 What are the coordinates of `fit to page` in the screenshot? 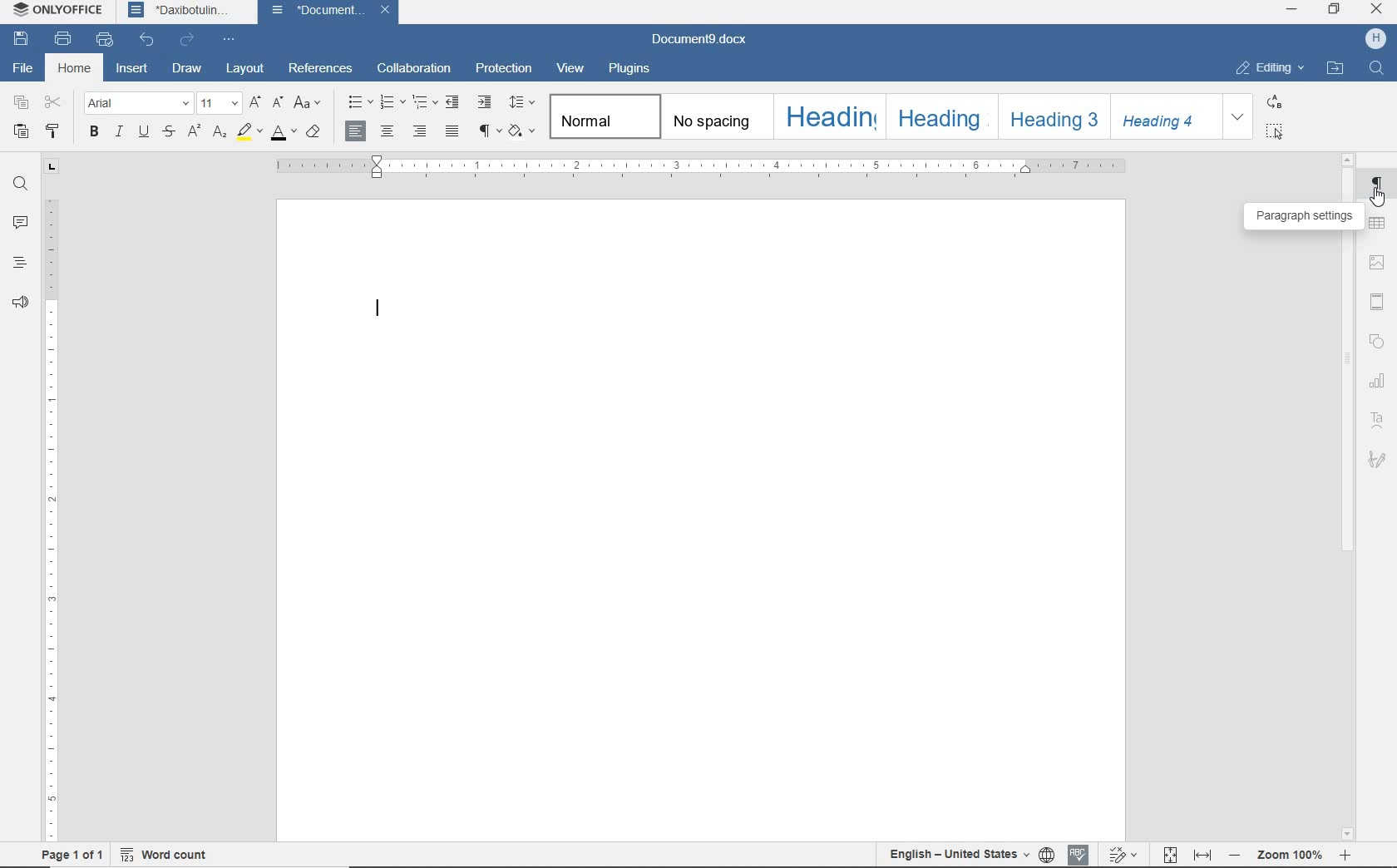 It's located at (1170, 855).